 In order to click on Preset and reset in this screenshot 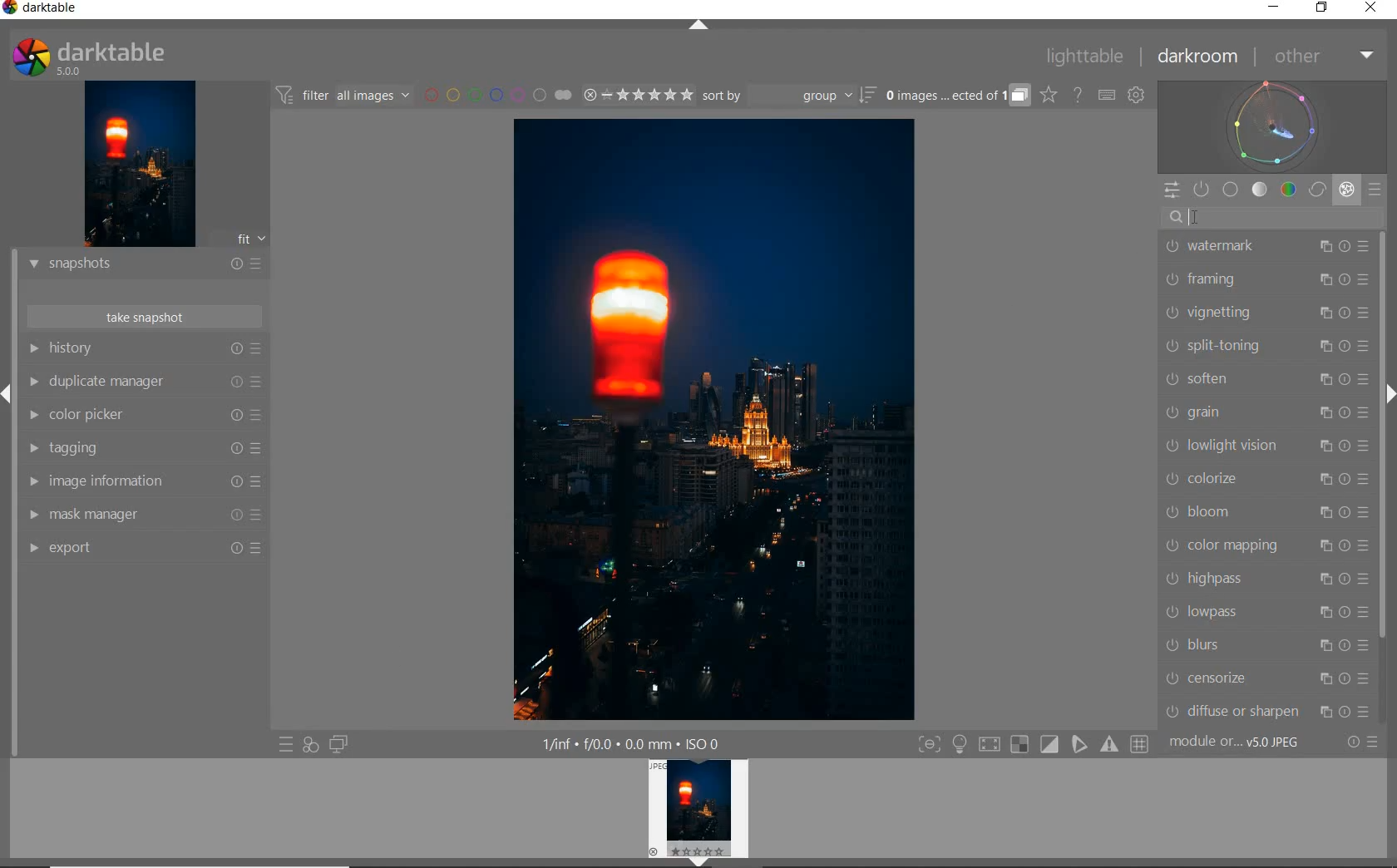, I will do `click(1365, 512)`.